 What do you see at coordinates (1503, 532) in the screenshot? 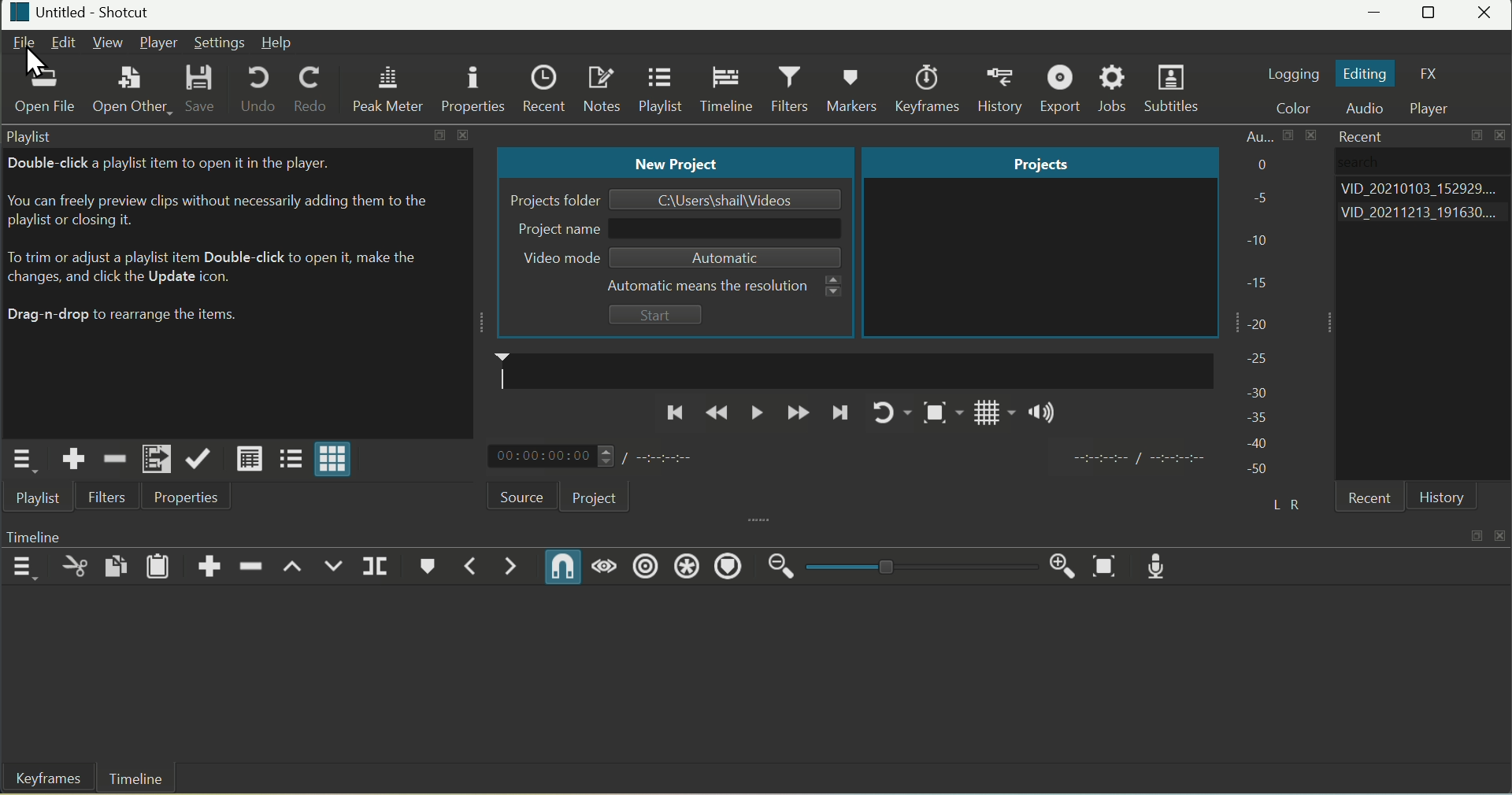
I see `close` at bounding box center [1503, 532].